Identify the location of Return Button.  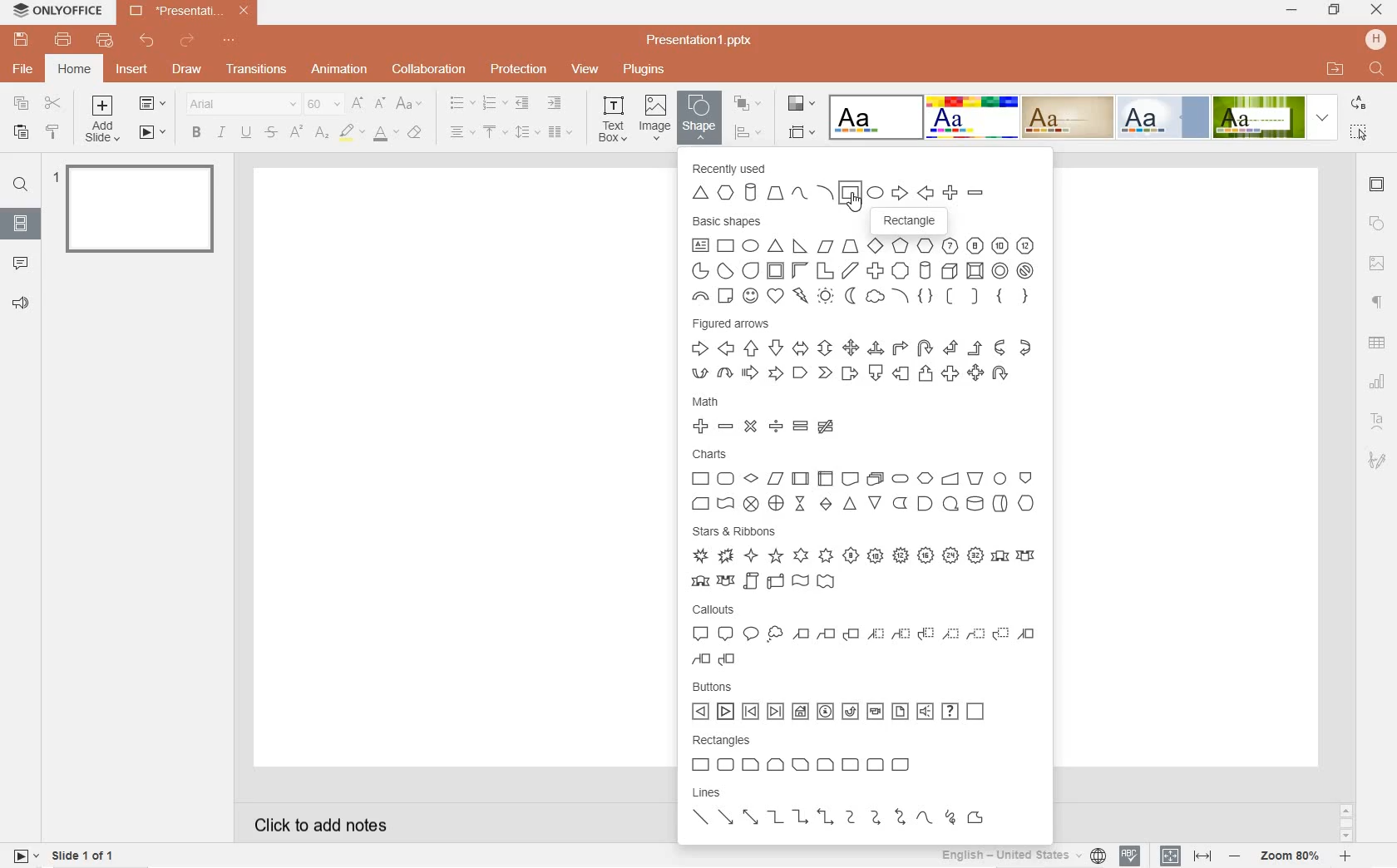
(851, 712).